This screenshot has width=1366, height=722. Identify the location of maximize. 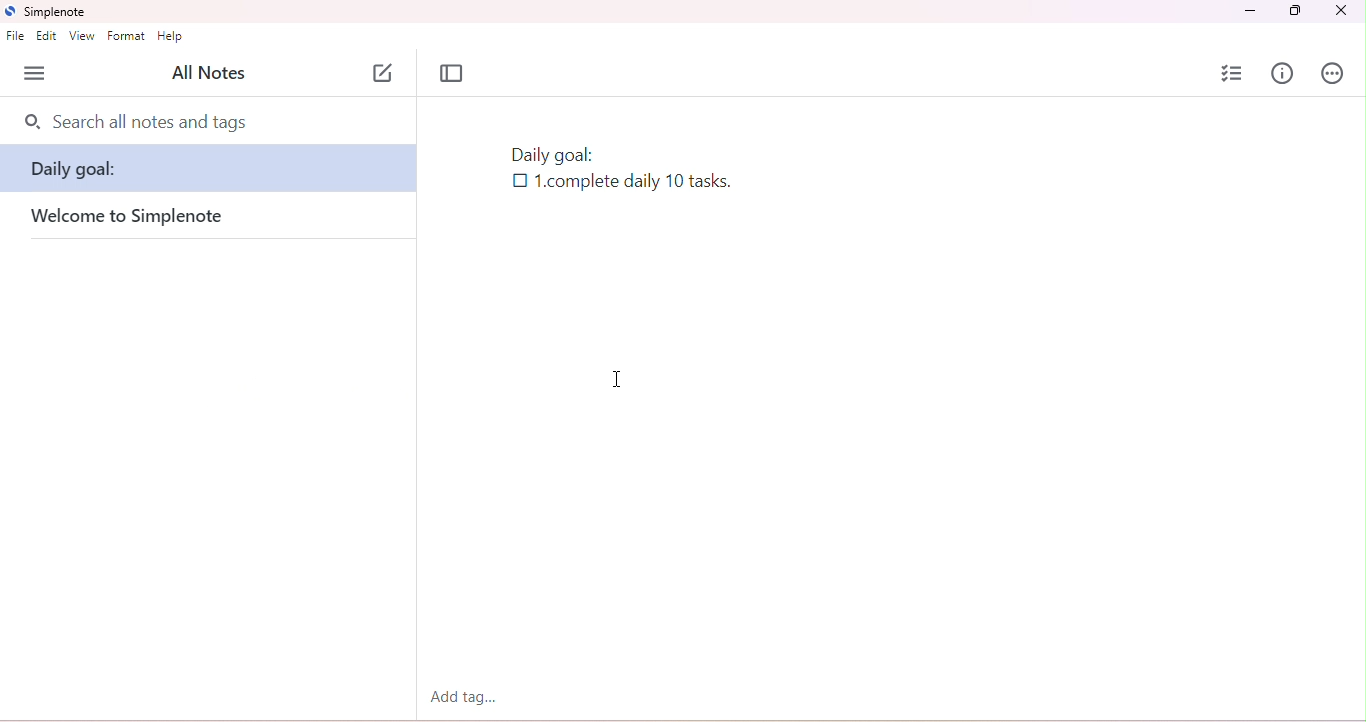
(1293, 11).